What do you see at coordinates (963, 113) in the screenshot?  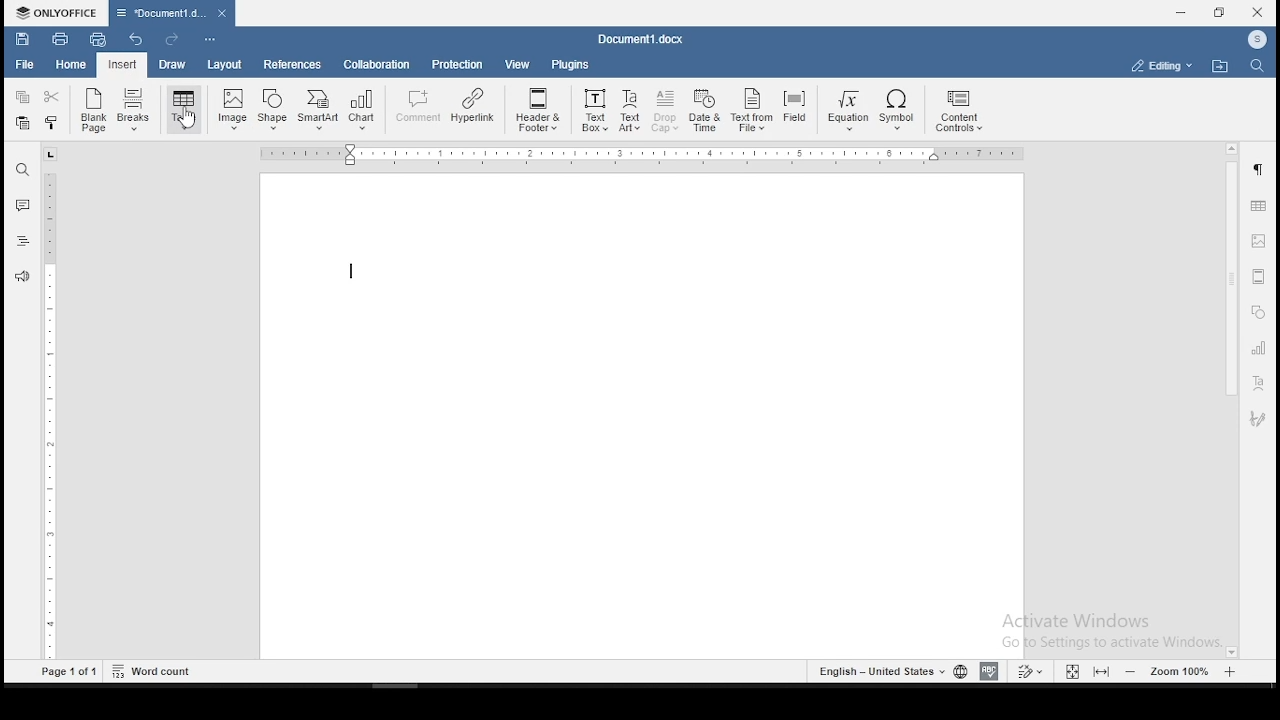 I see `content controls` at bounding box center [963, 113].